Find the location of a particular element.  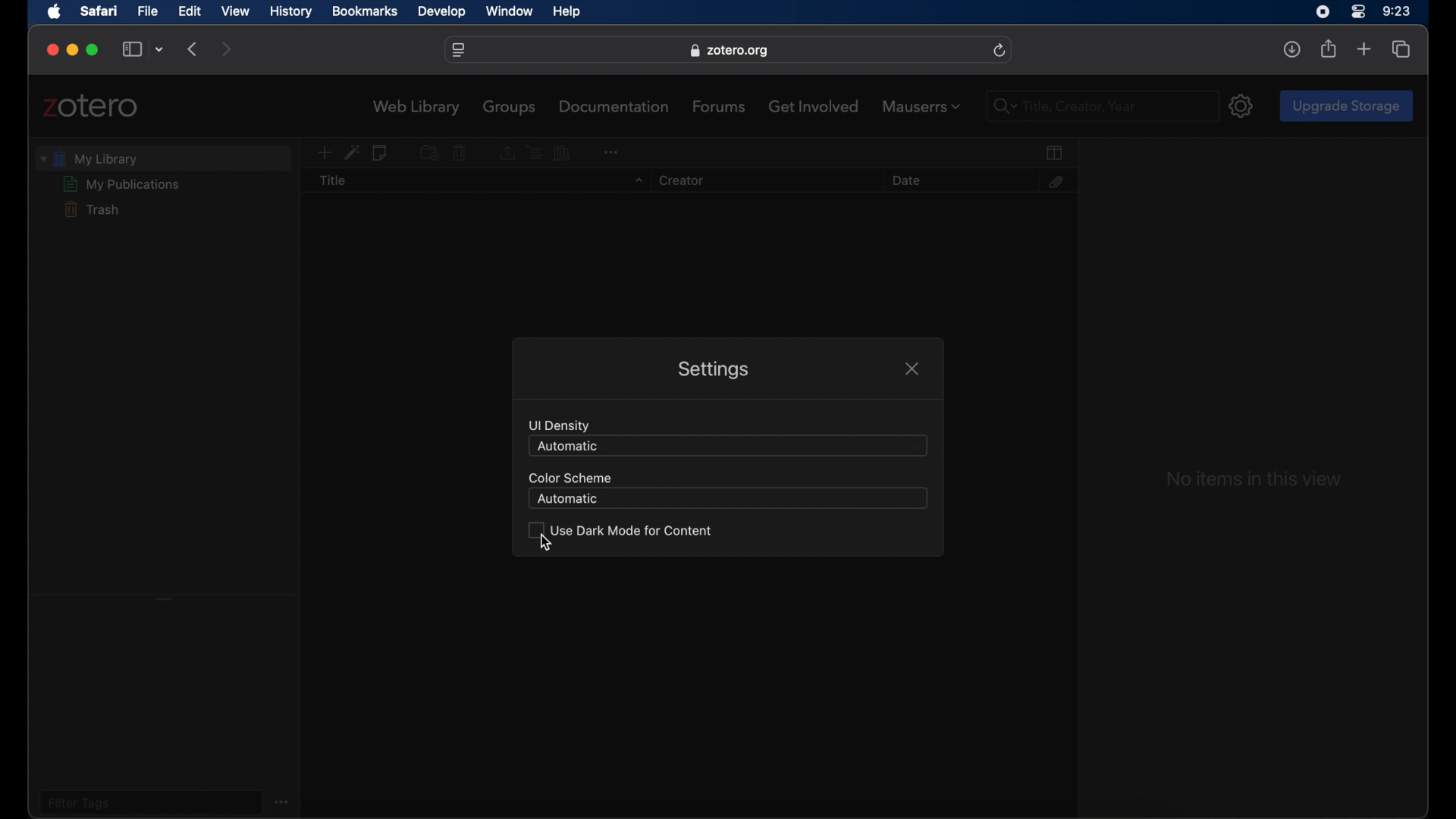

delete is located at coordinates (460, 153).